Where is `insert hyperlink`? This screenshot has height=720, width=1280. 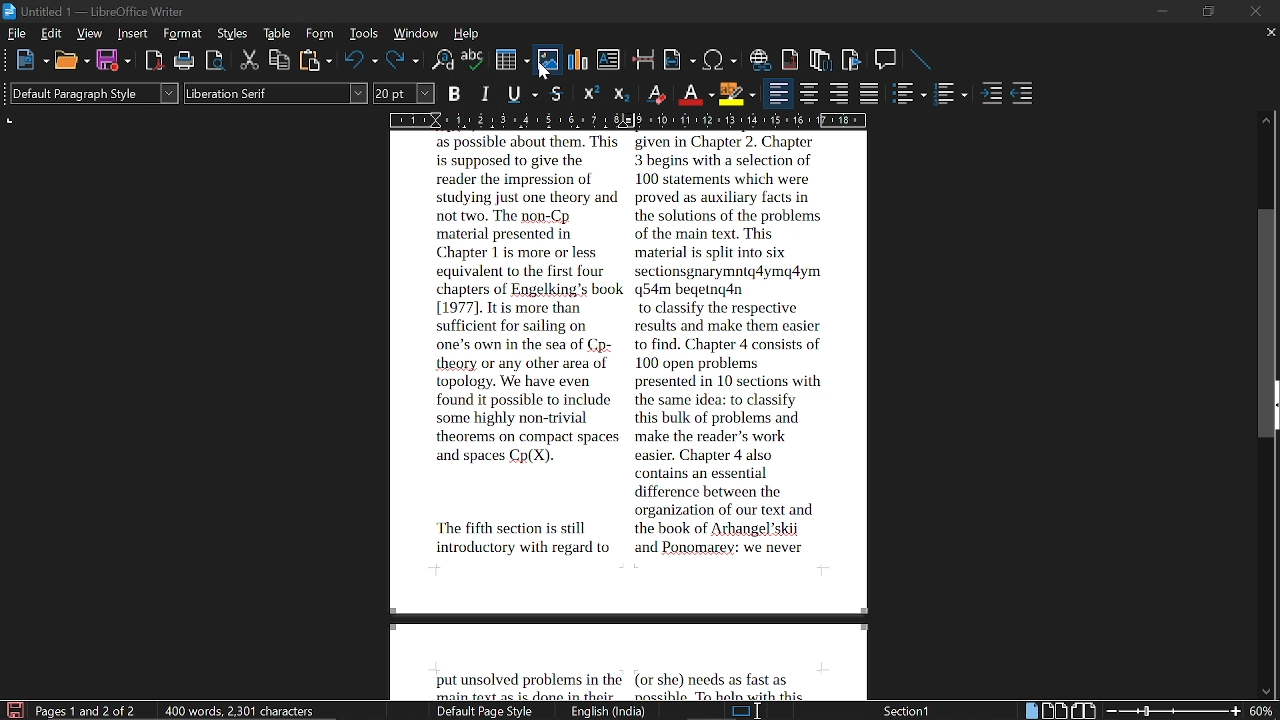
insert hyperlink is located at coordinates (761, 61).